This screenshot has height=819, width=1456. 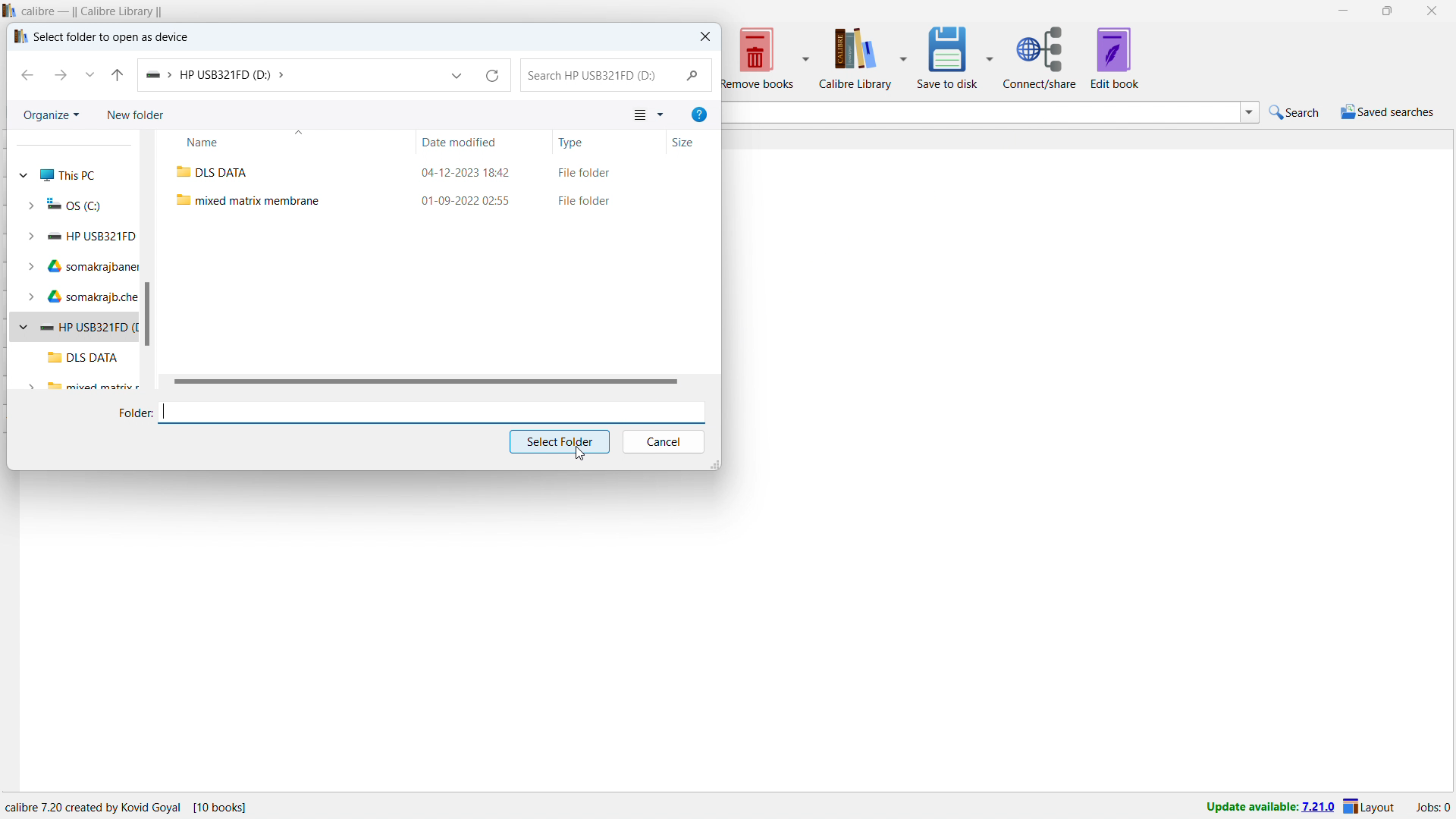 I want to click on horizontal scrollbar, so click(x=425, y=381).